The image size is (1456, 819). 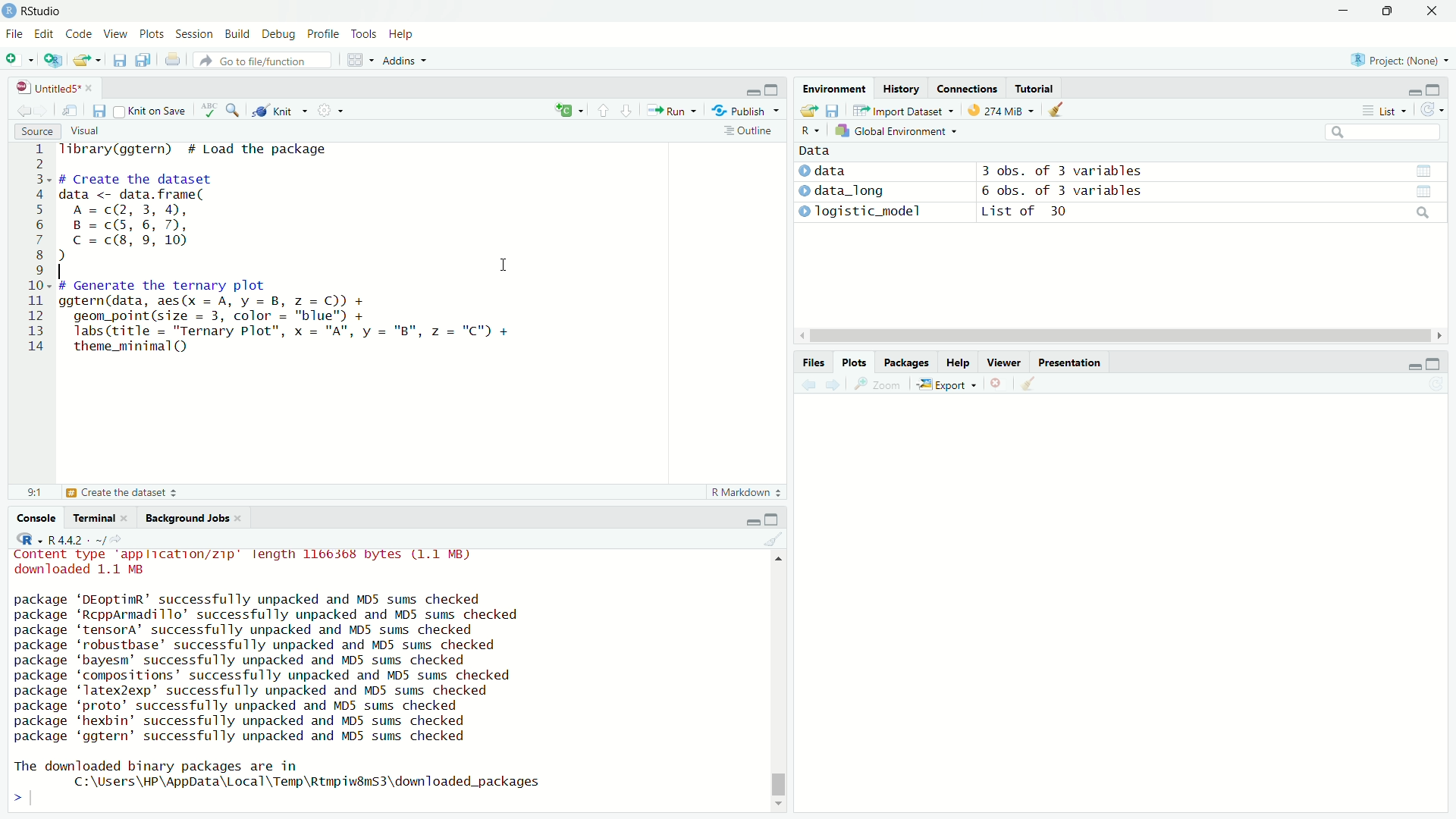 What do you see at coordinates (118, 63) in the screenshot?
I see `save` at bounding box center [118, 63].